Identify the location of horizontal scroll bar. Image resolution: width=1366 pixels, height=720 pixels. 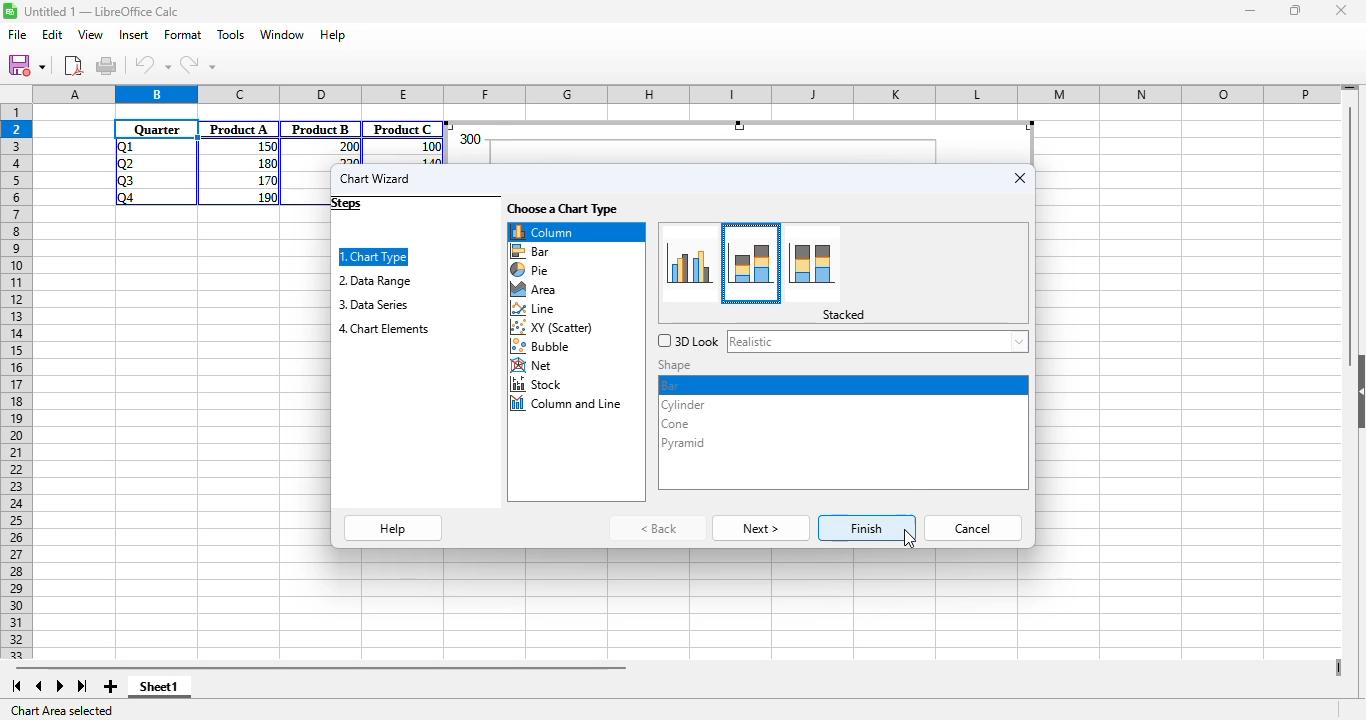
(320, 667).